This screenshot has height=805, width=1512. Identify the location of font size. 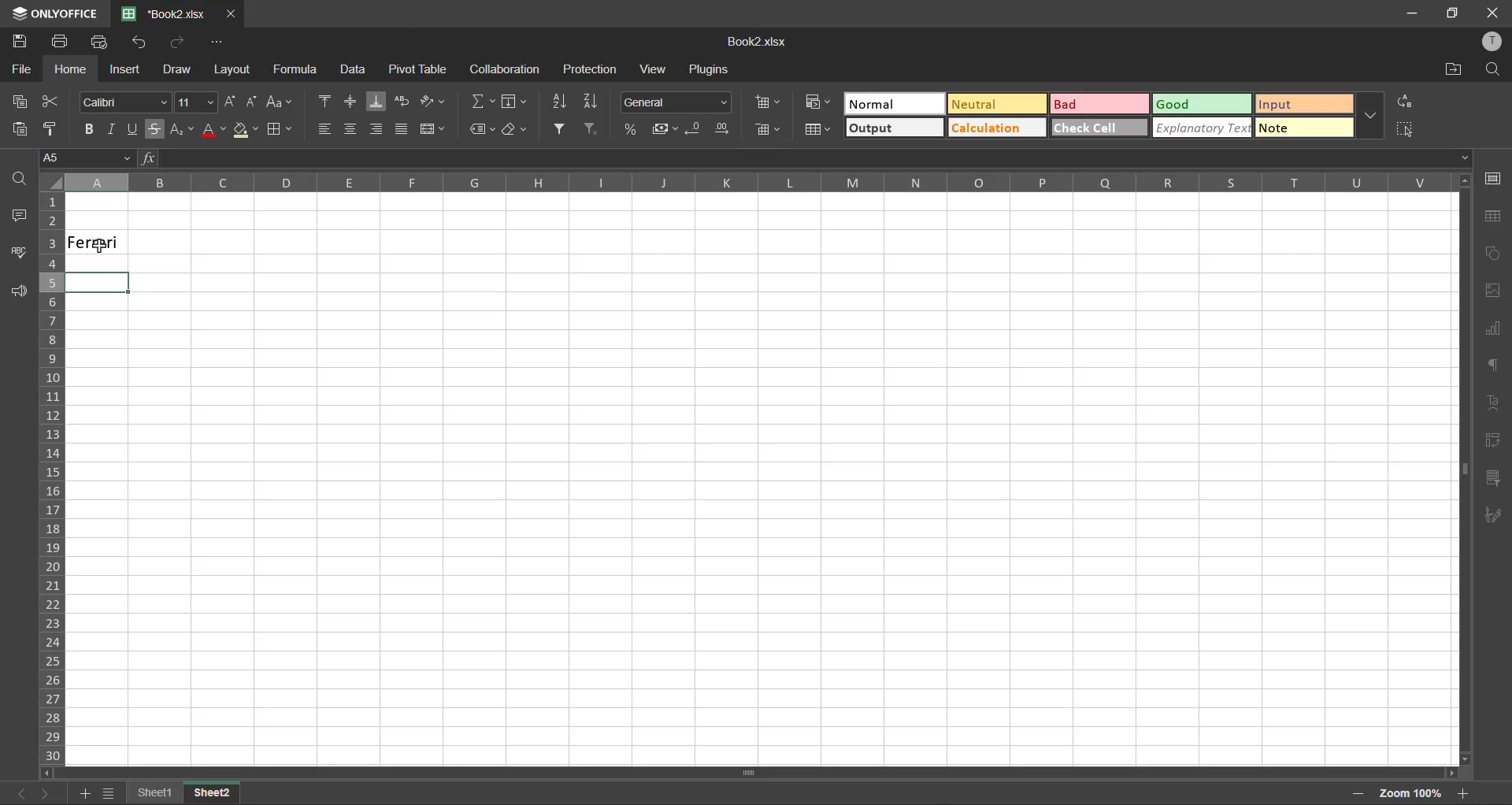
(197, 102).